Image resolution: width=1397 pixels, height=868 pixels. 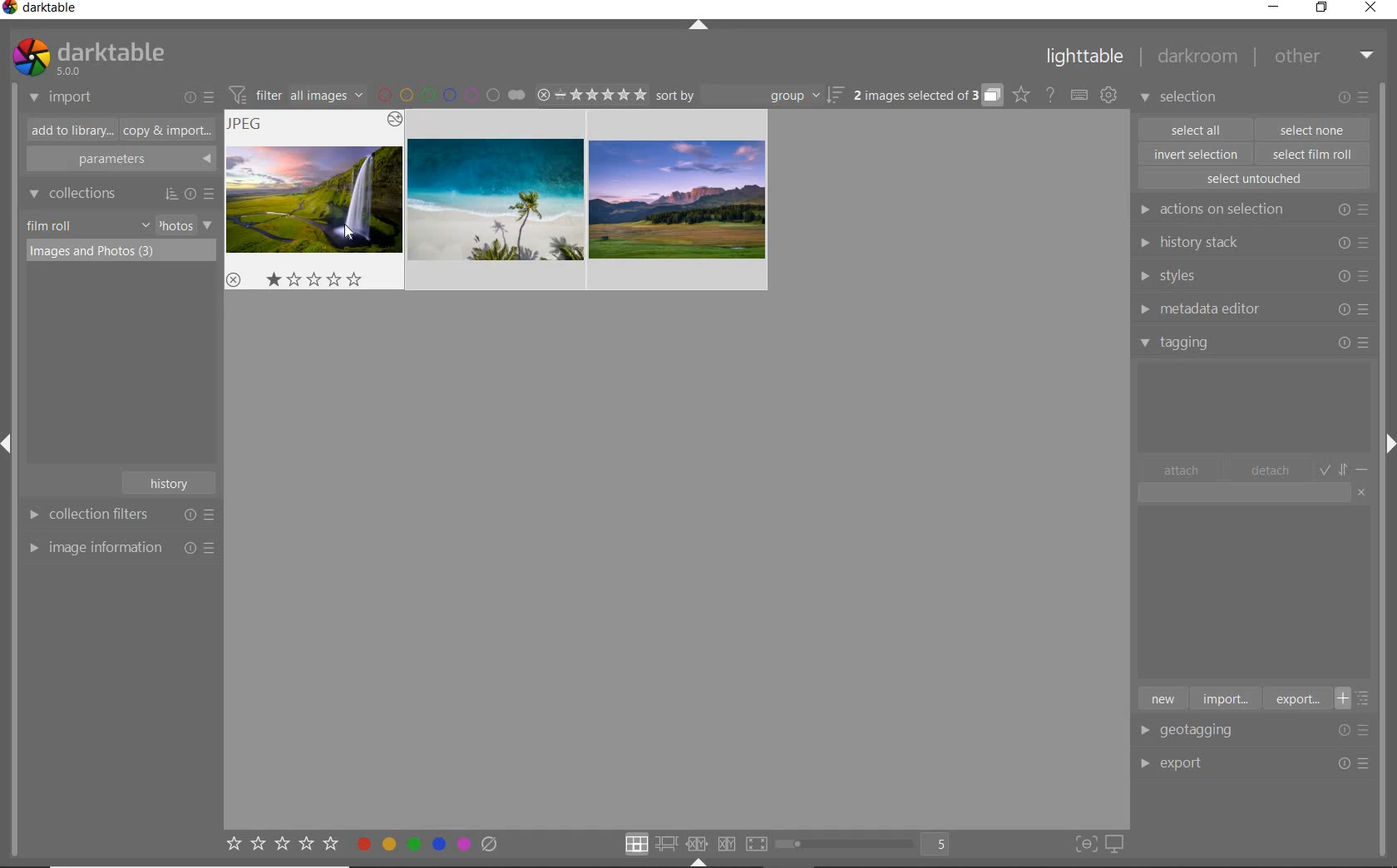 I want to click on set display profile, so click(x=1114, y=845).